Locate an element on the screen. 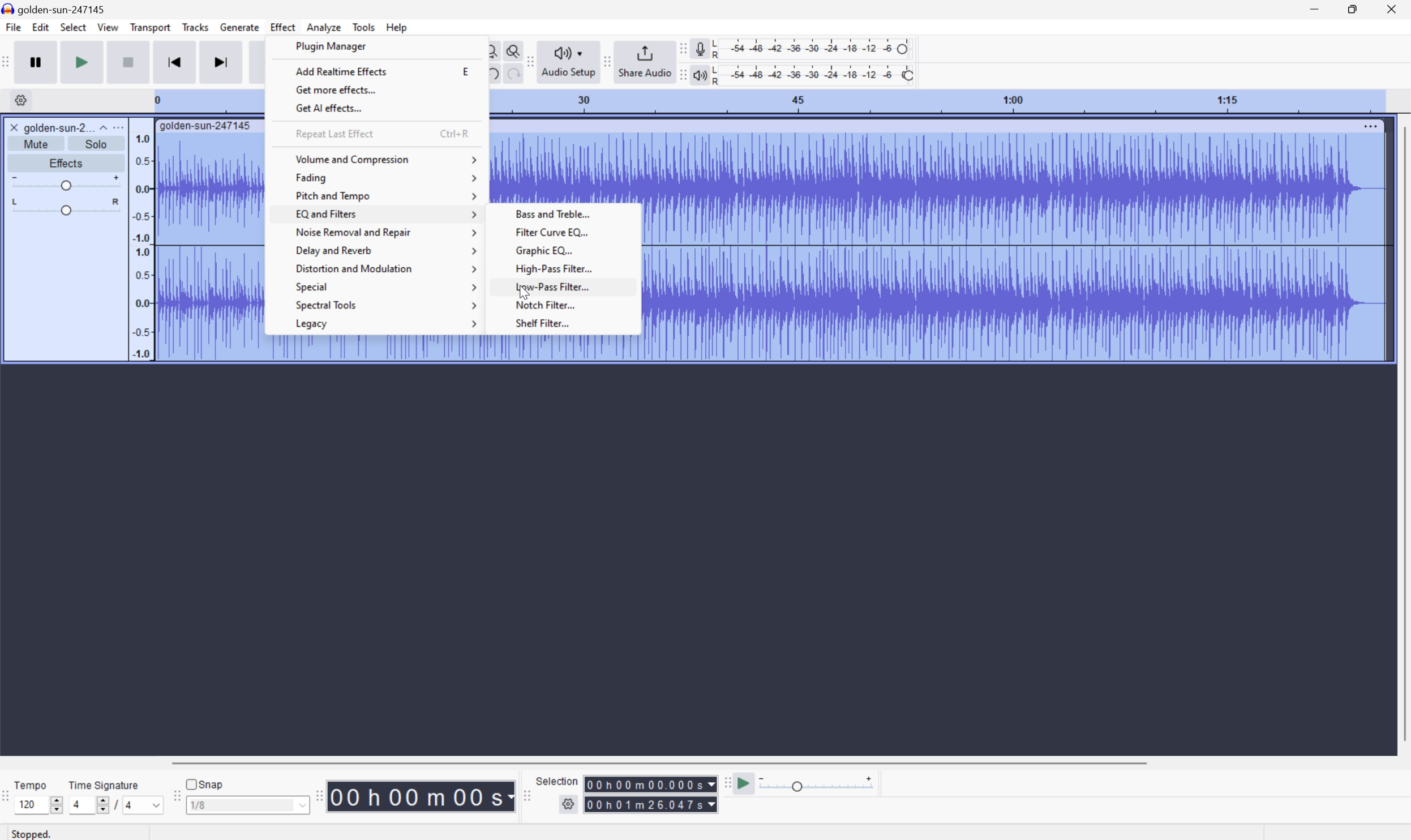  Spectral tools is located at coordinates (385, 307).